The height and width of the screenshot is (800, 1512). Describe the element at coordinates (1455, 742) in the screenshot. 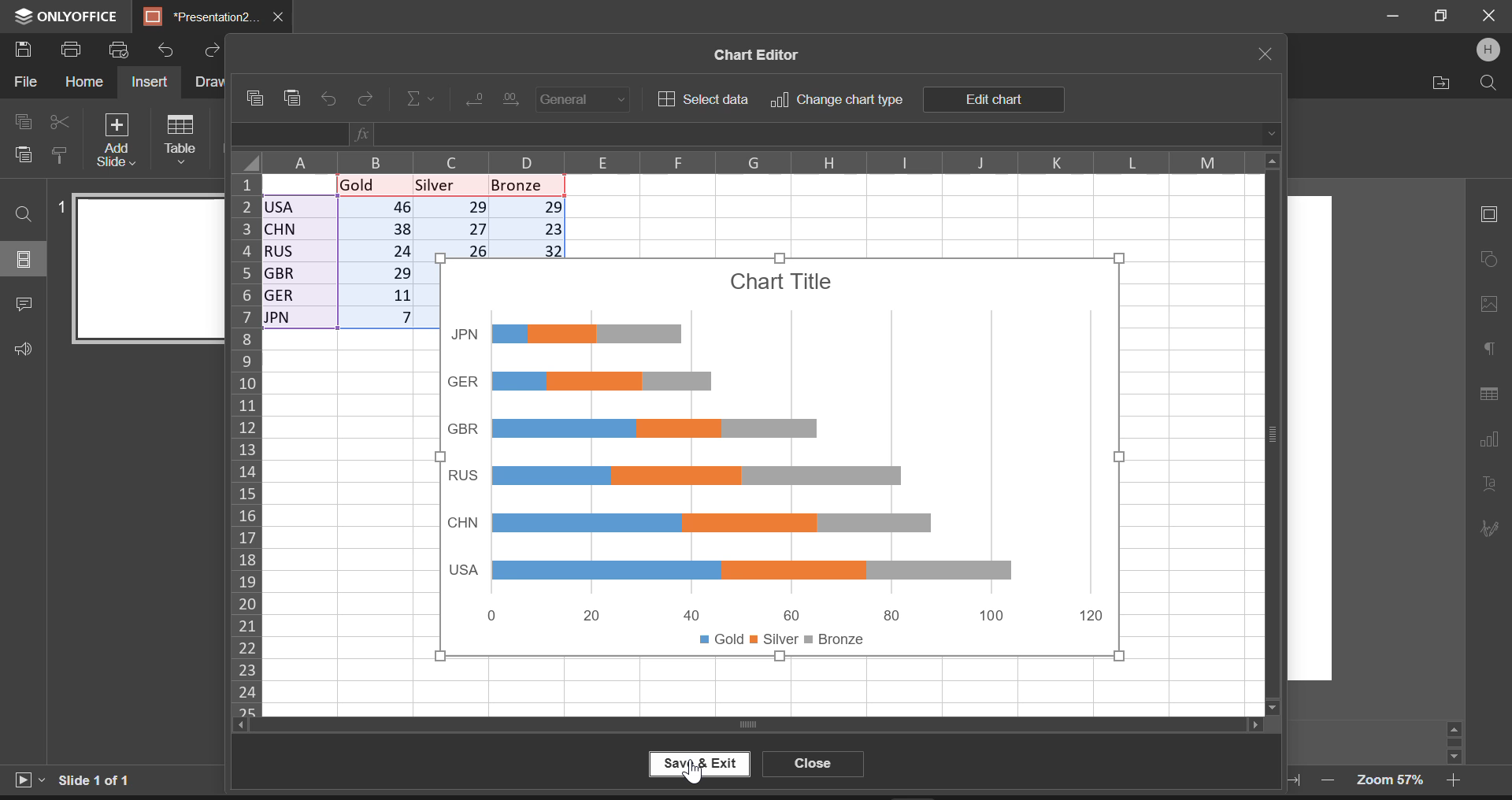

I see `Scroll Bar` at that location.